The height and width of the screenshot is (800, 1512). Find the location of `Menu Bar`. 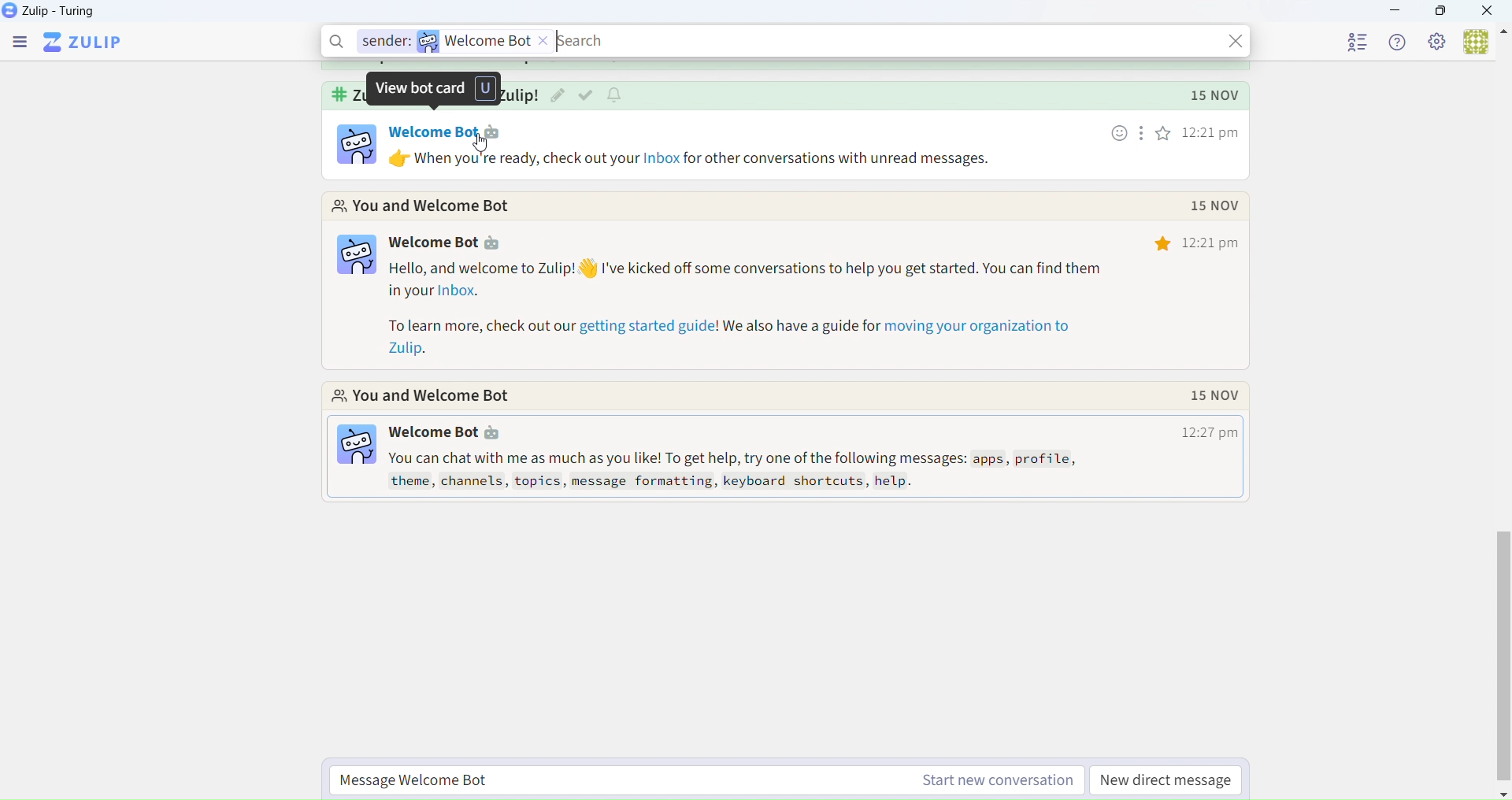

Menu Bar is located at coordinates (20, 45).